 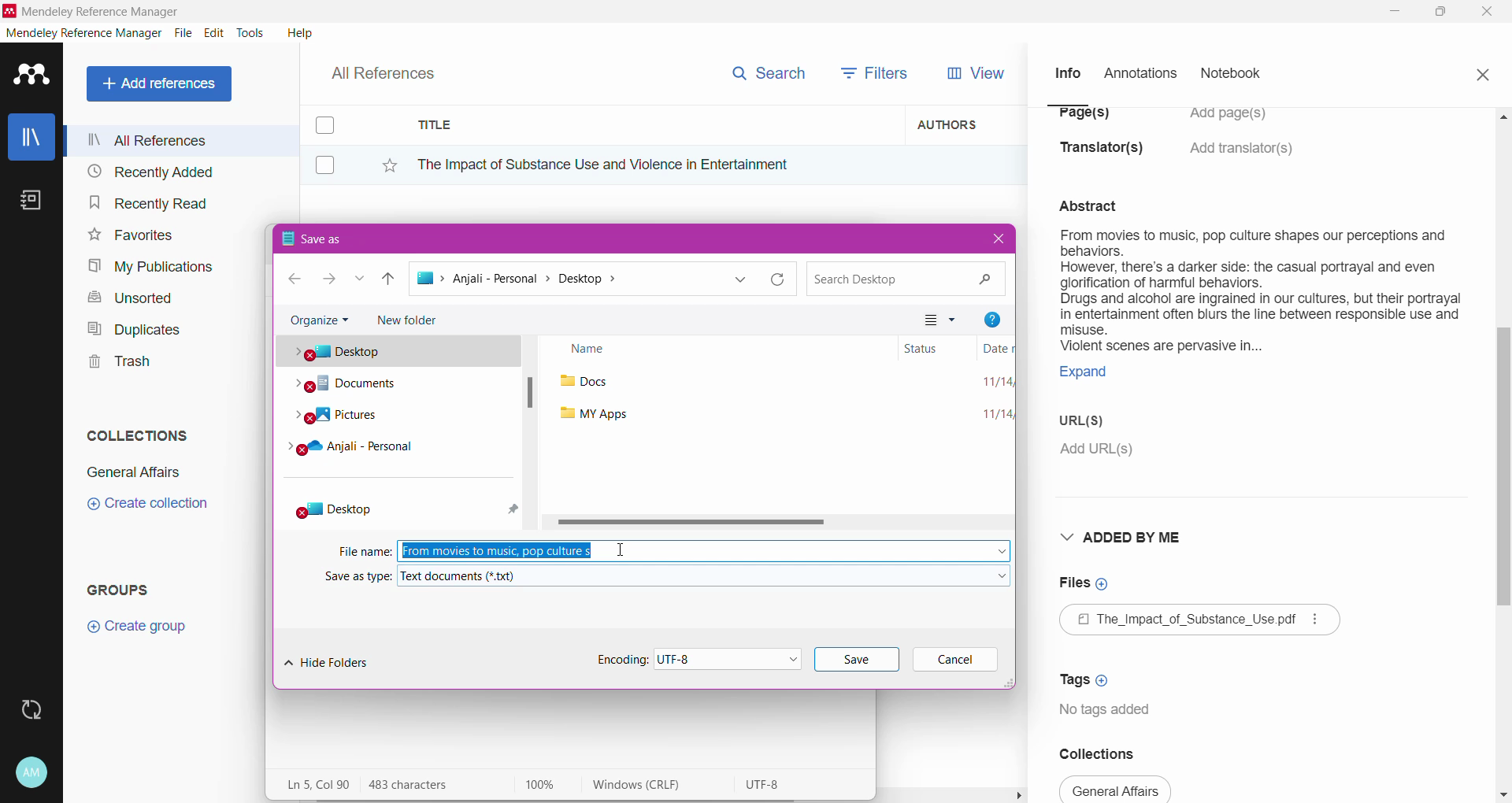 What do you see at coordinates (594, 414) in the screenshot?
I see `my apps` at bounding box center [594, 414].